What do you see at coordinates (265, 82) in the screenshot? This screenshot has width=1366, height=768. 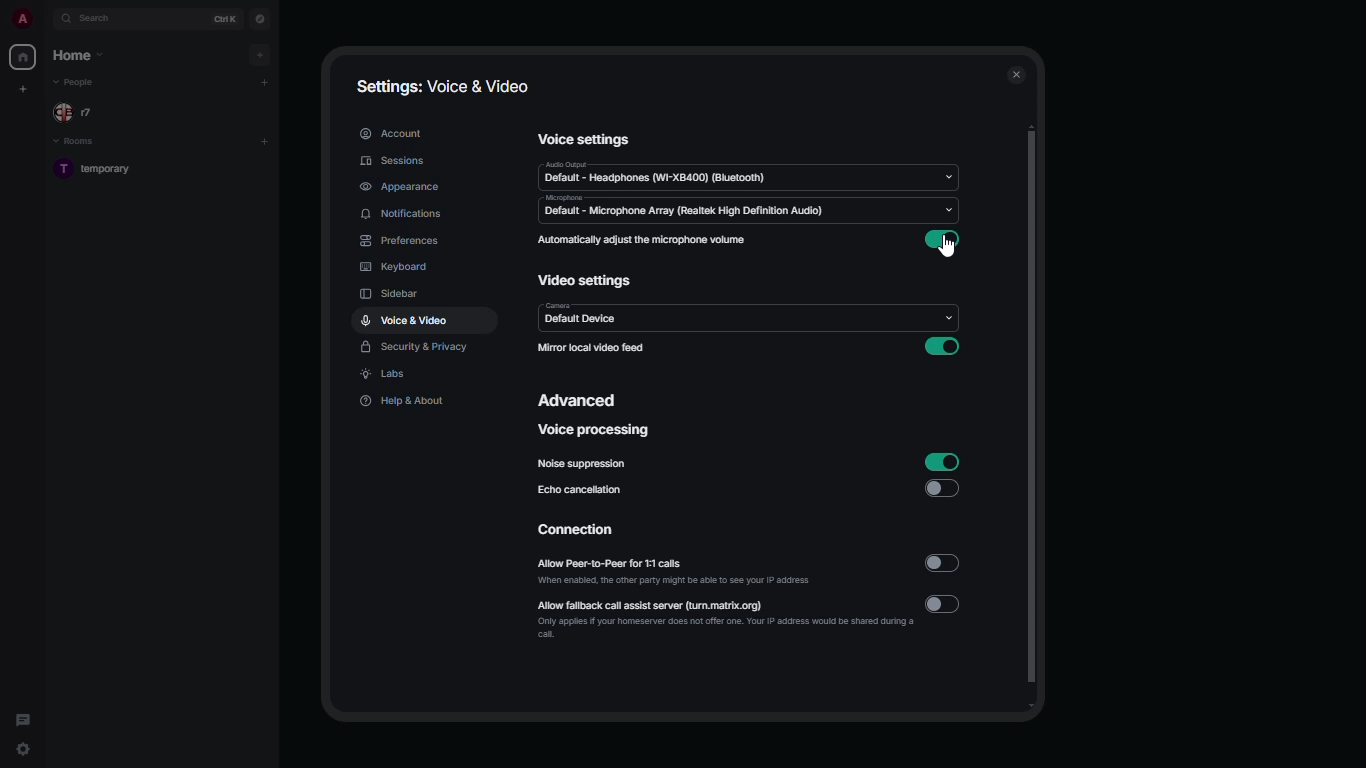 I see `add` at bounding box center [265, 82].